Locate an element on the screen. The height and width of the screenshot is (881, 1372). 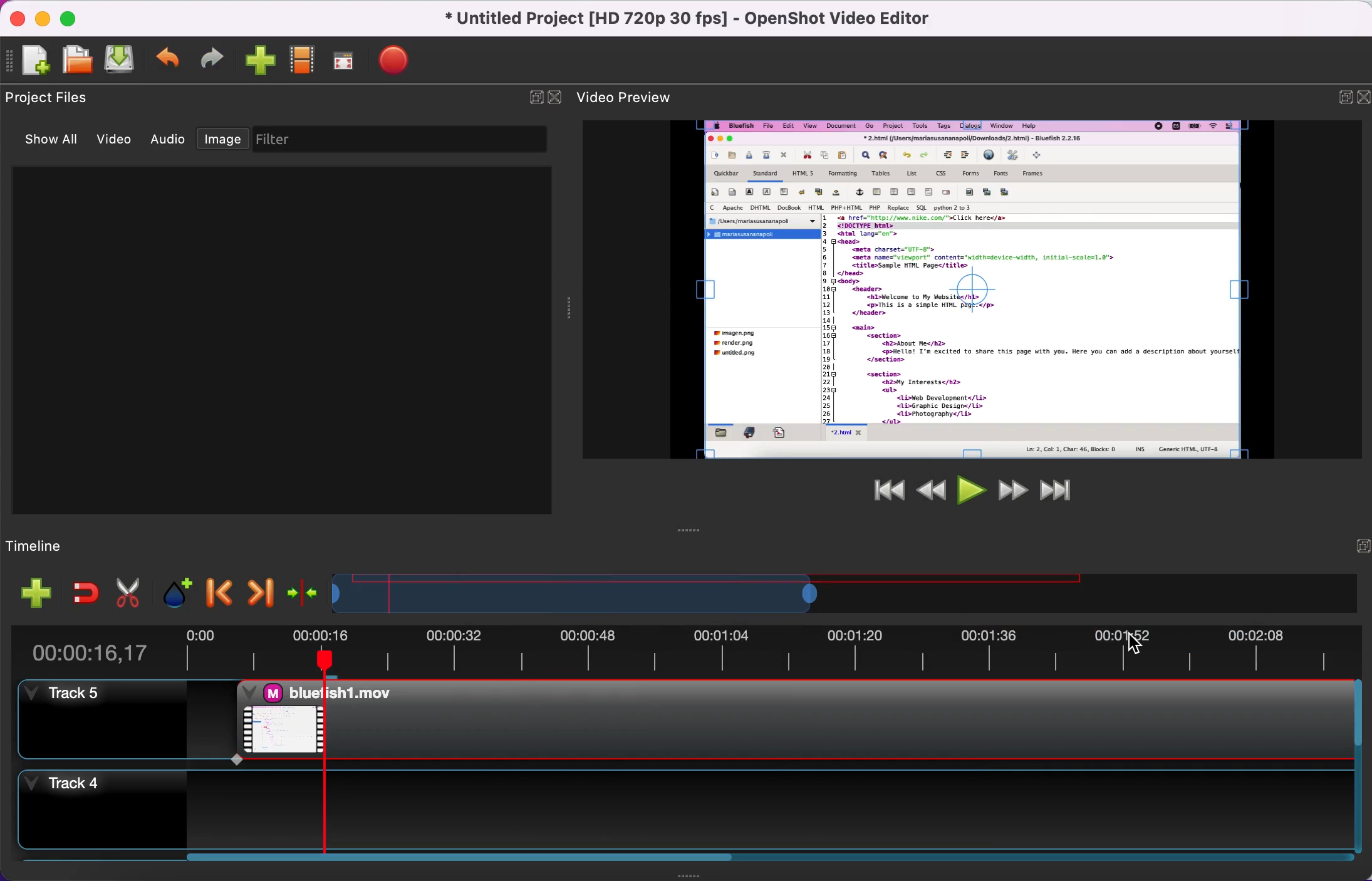
export video is located at coordinates (402, 59).